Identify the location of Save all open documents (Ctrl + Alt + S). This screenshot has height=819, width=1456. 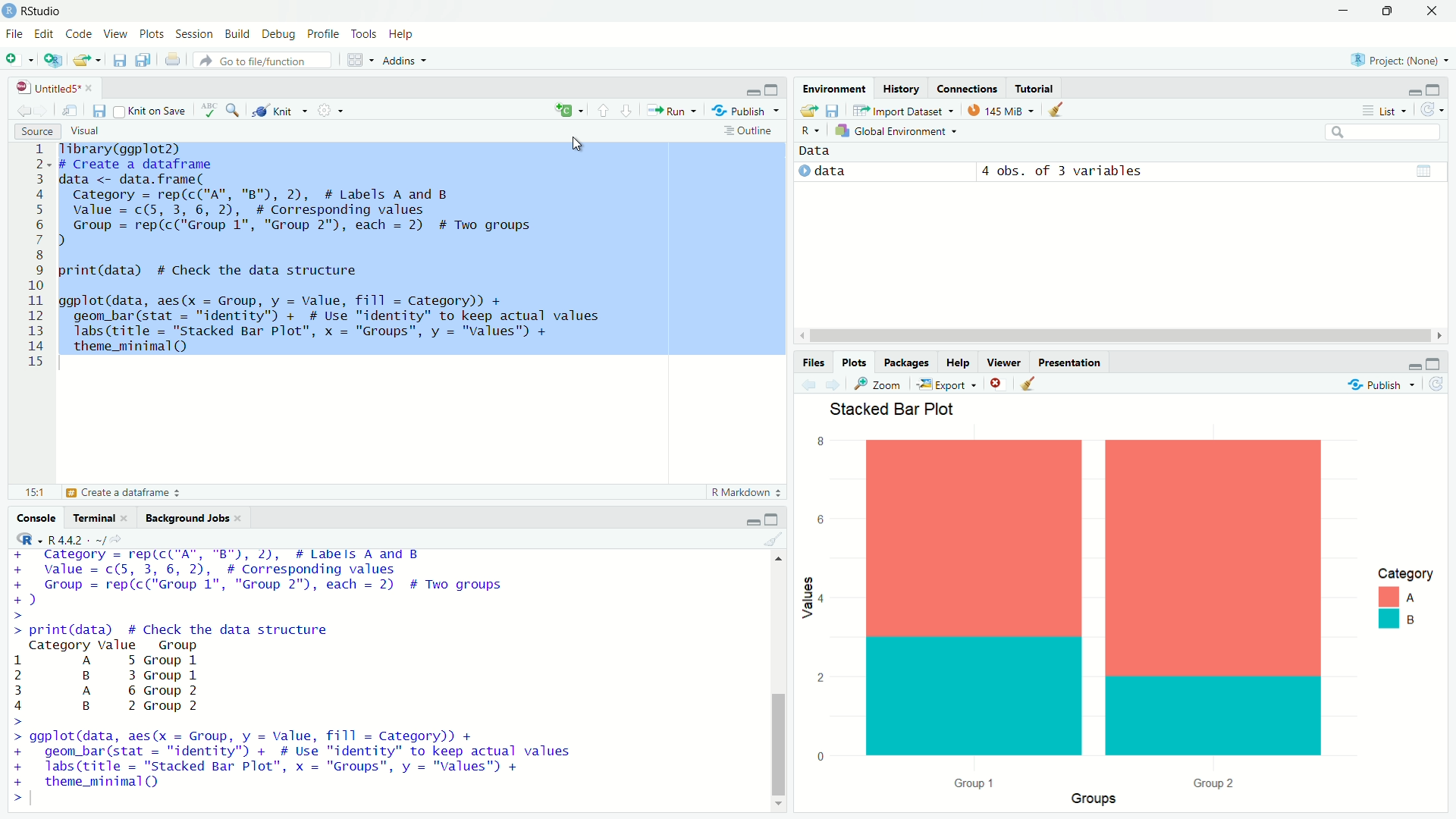
(145, 60).